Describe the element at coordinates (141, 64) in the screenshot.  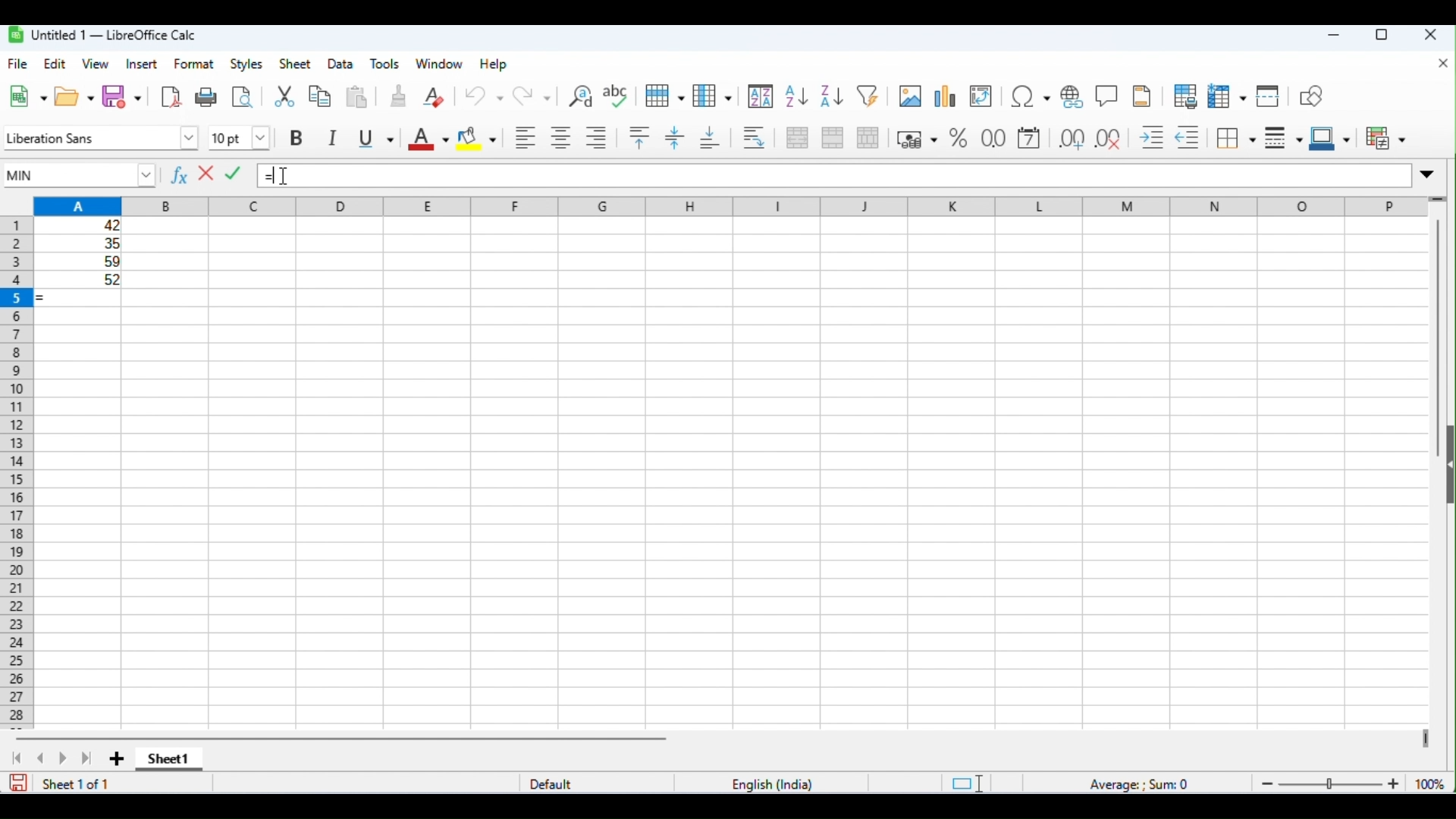
I see `insert` at that location.